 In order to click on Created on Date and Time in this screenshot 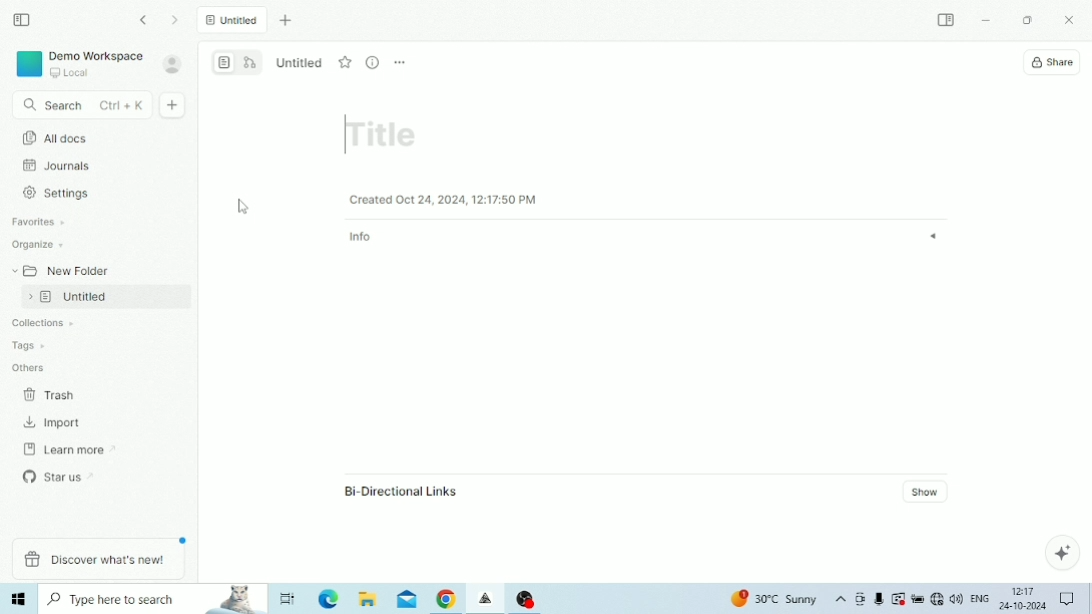, I will do `click(444, 199)`.